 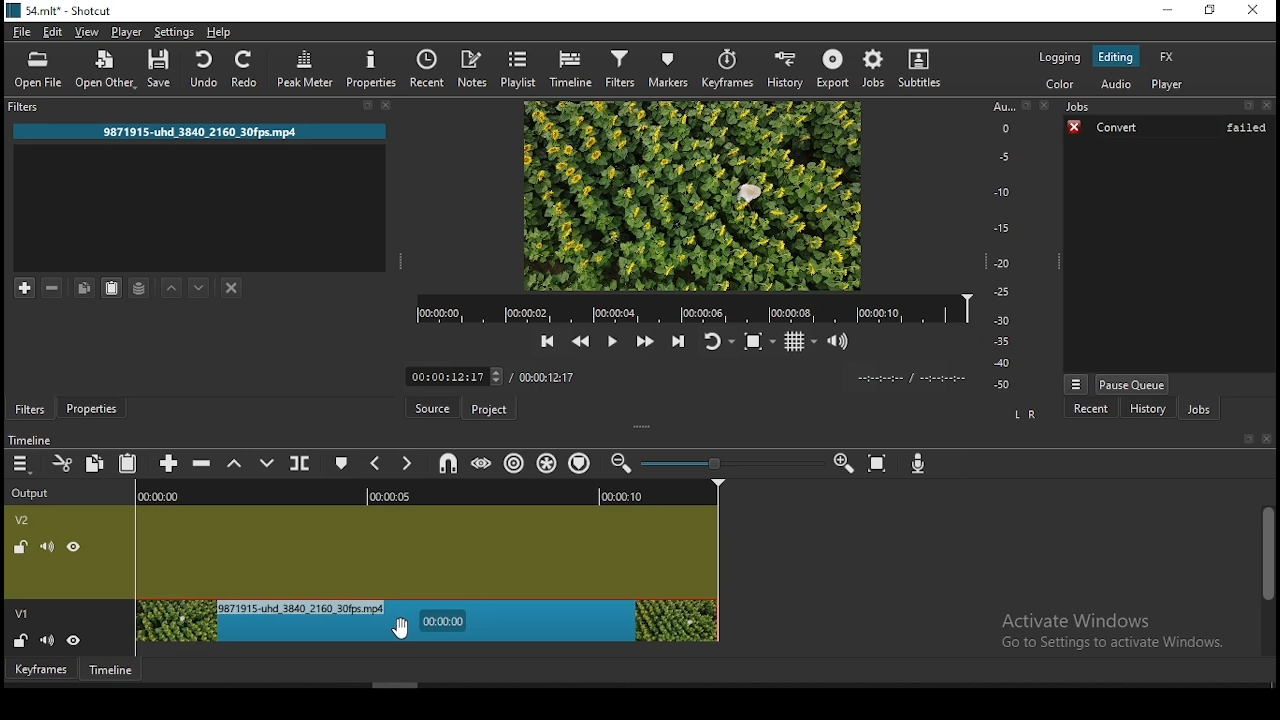 I want to click on volume control, so click(x=840, y=343).